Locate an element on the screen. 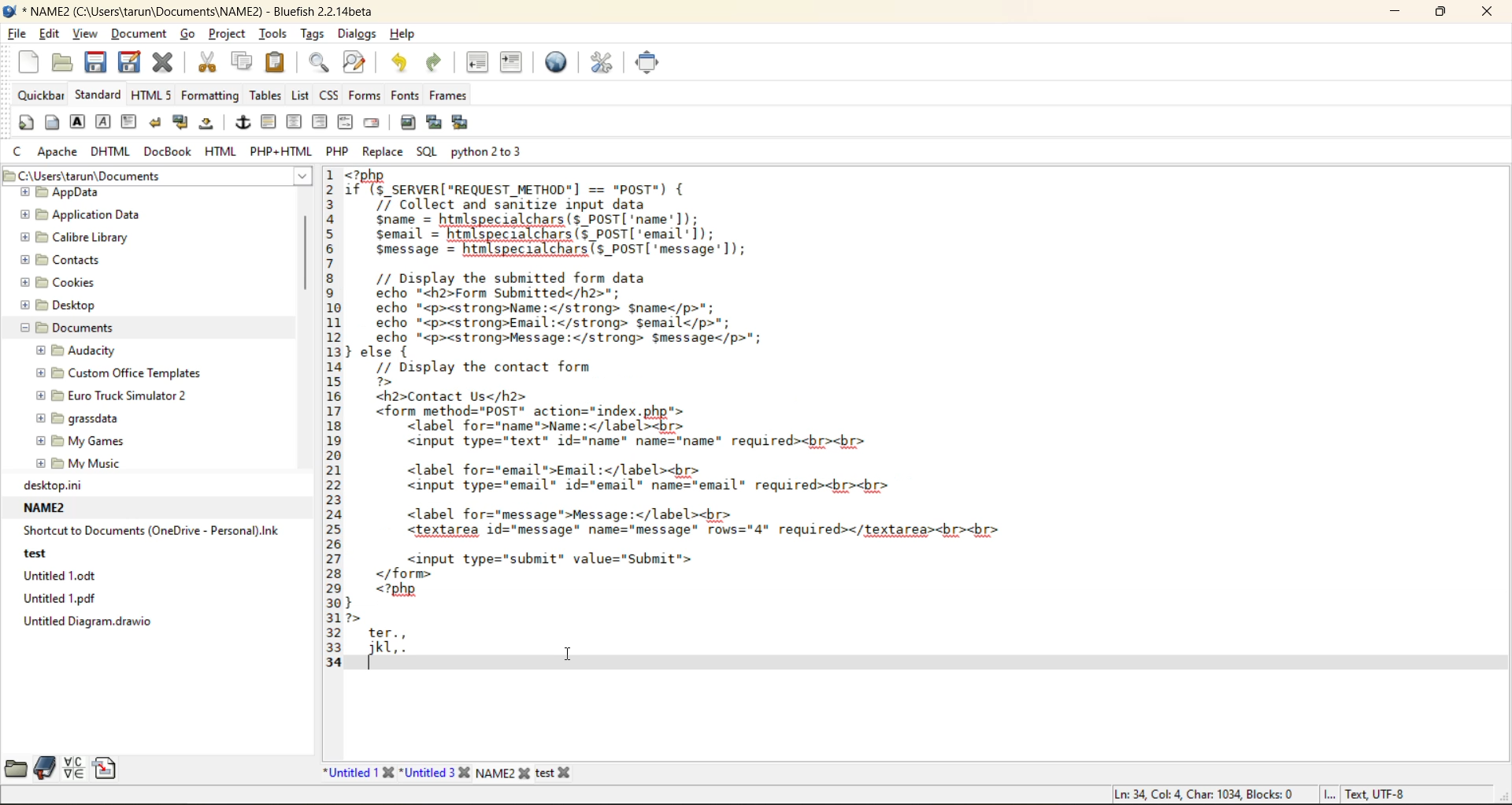  Untitled Diagram.drawio is located at coordinates (84, 624).